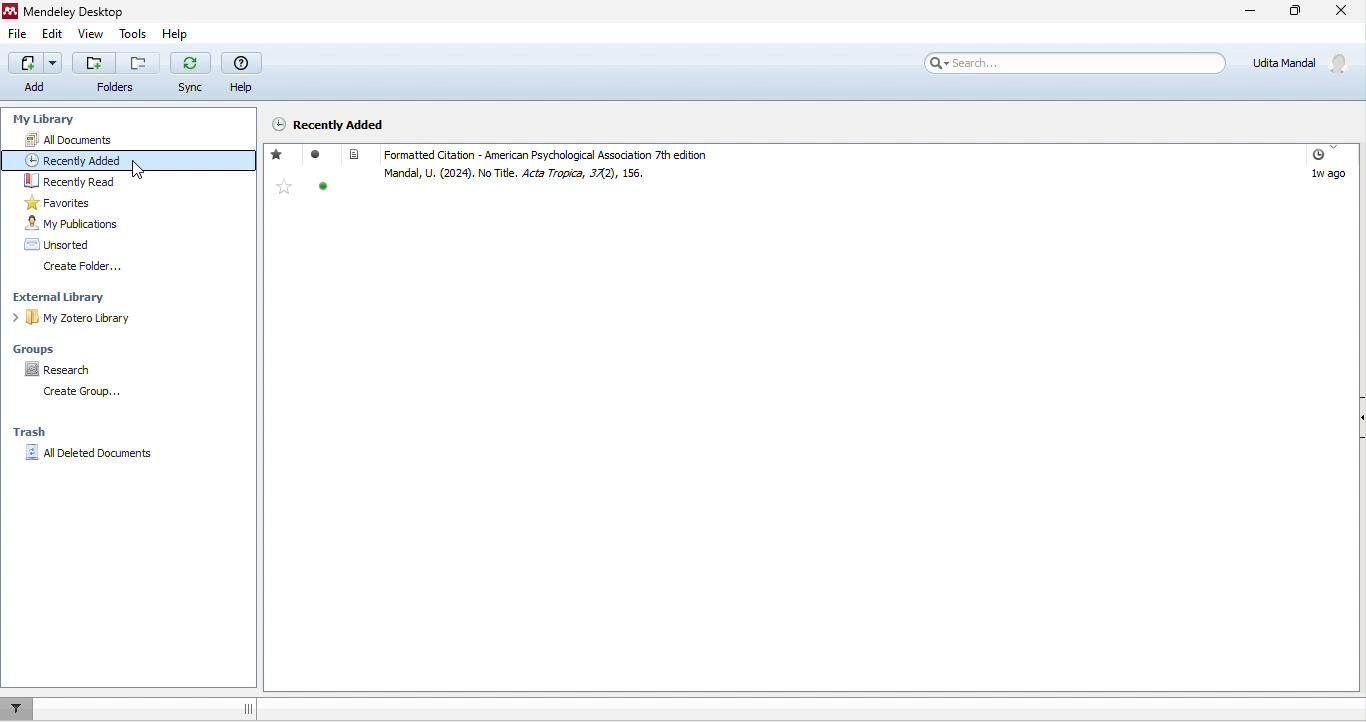  I want to click on research, so click(60, 370).